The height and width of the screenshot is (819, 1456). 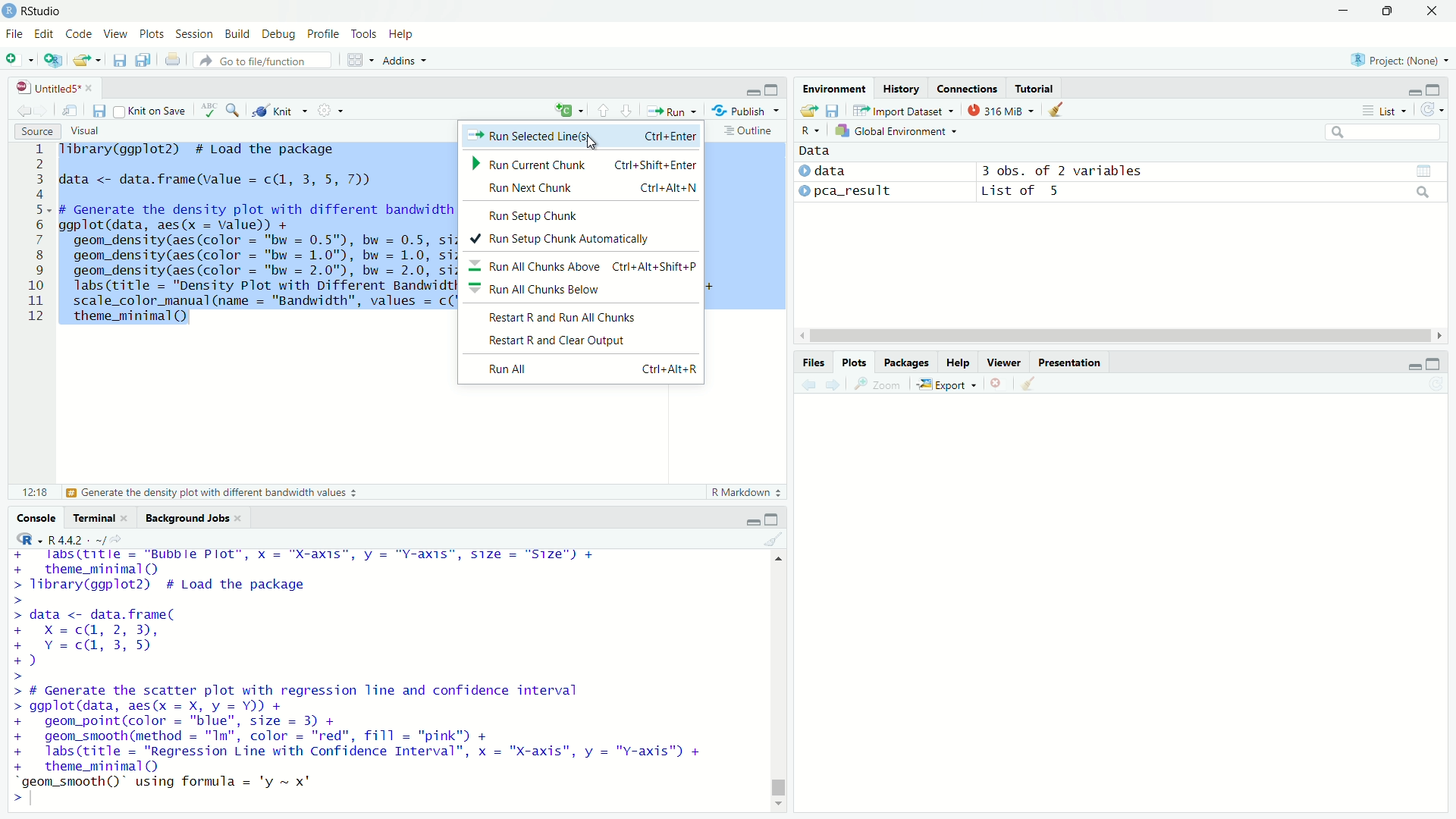 I want to click on R Markdown, so click(x=748, y=492).